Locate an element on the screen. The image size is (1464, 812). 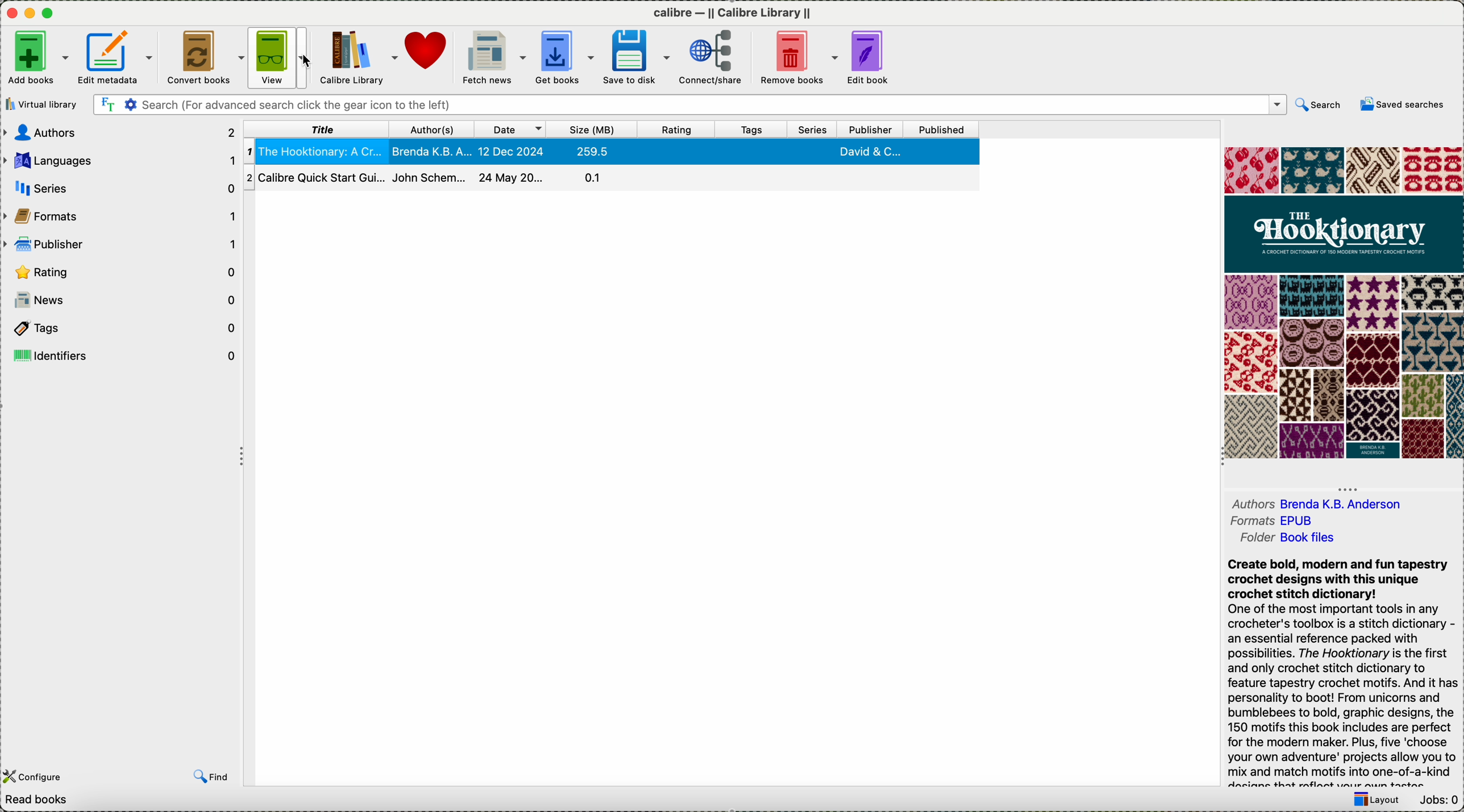
remove books is located at coordinates (795, 56).